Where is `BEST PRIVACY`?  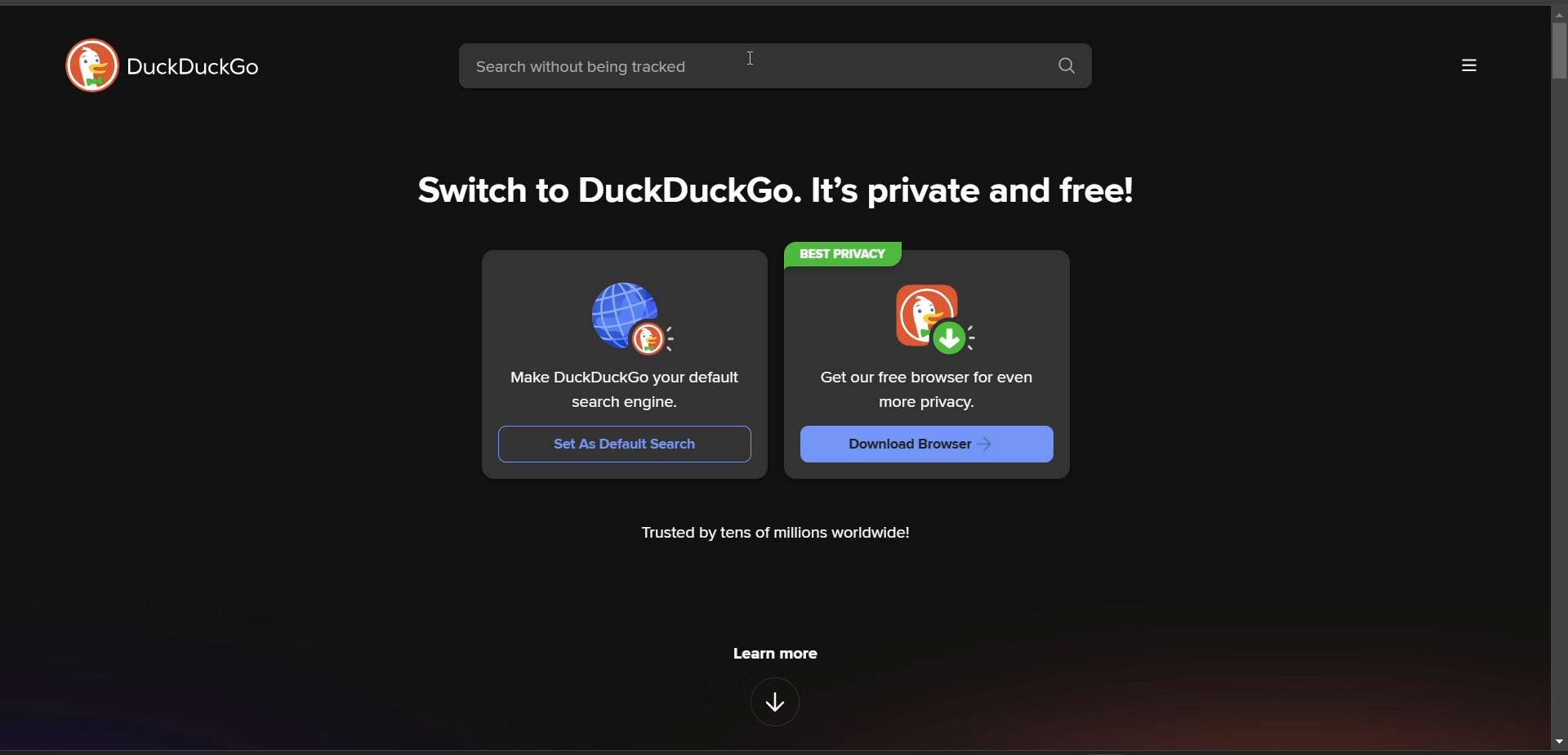
BEST PRIVACY is located at coordinates (846, 252).